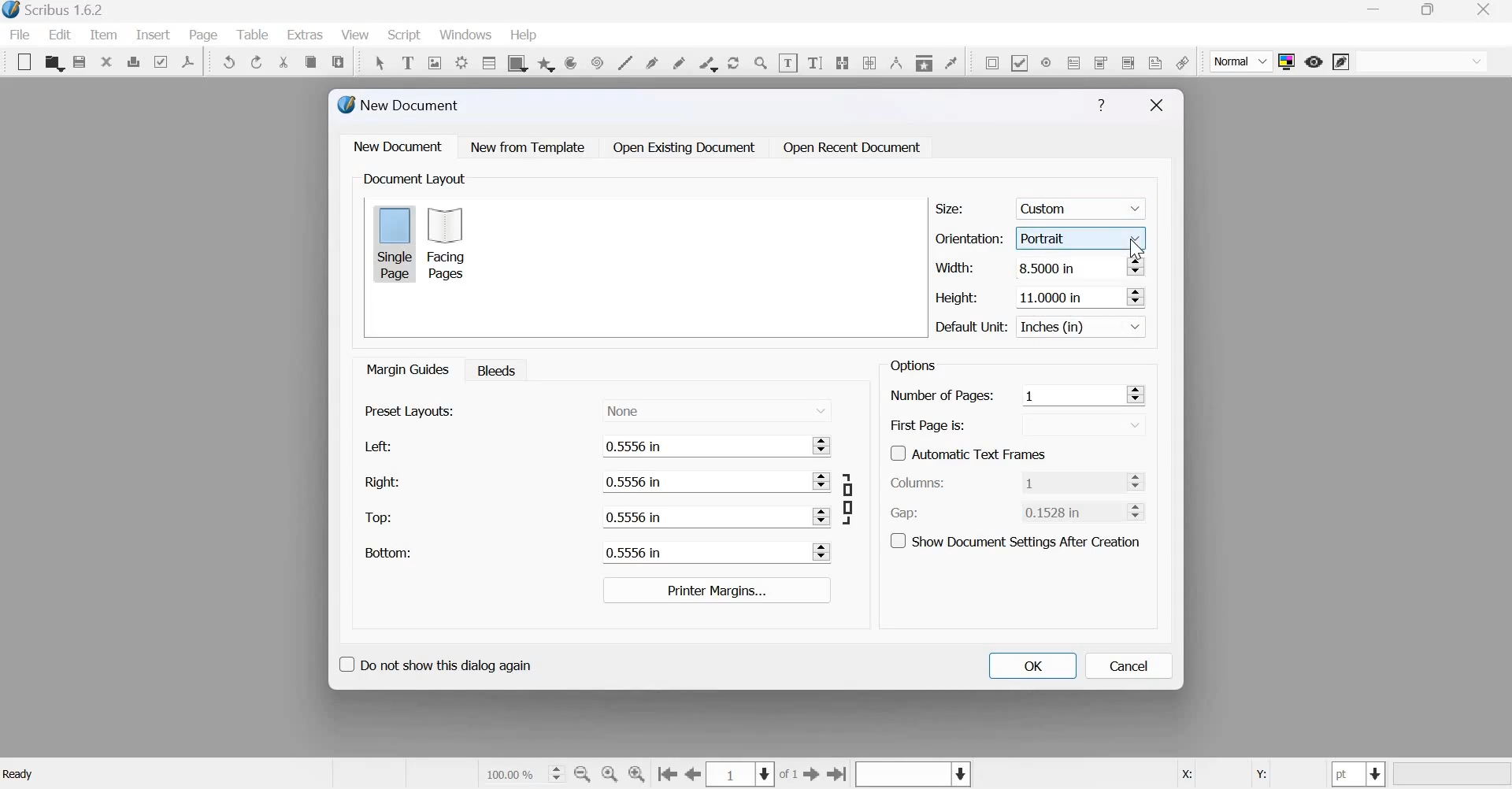  What do you see at coordinates (306, 35) in the screenshot?
I see `extras` at bounding box center [306, 35].